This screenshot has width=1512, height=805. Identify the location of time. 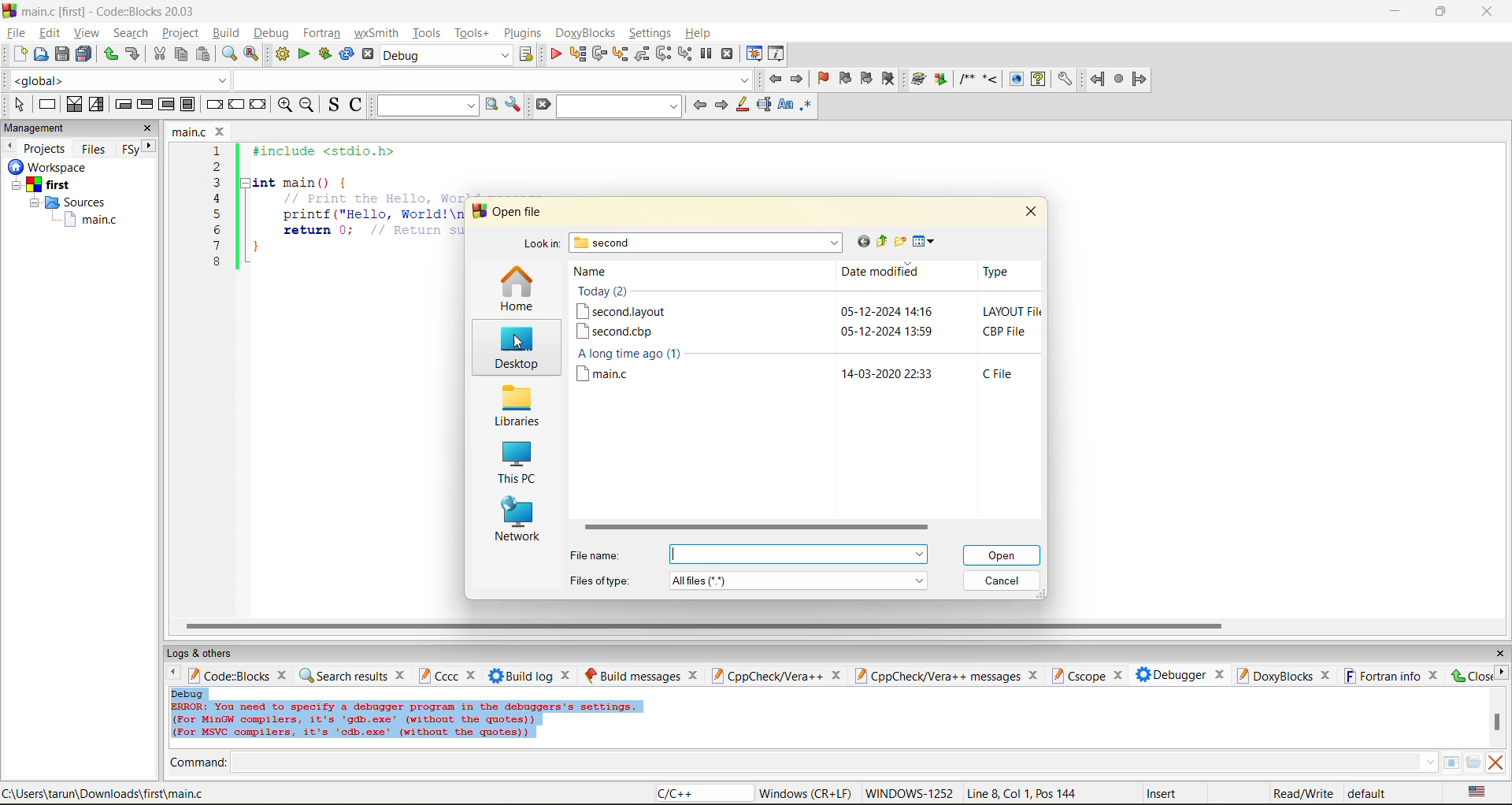
(921, 331).